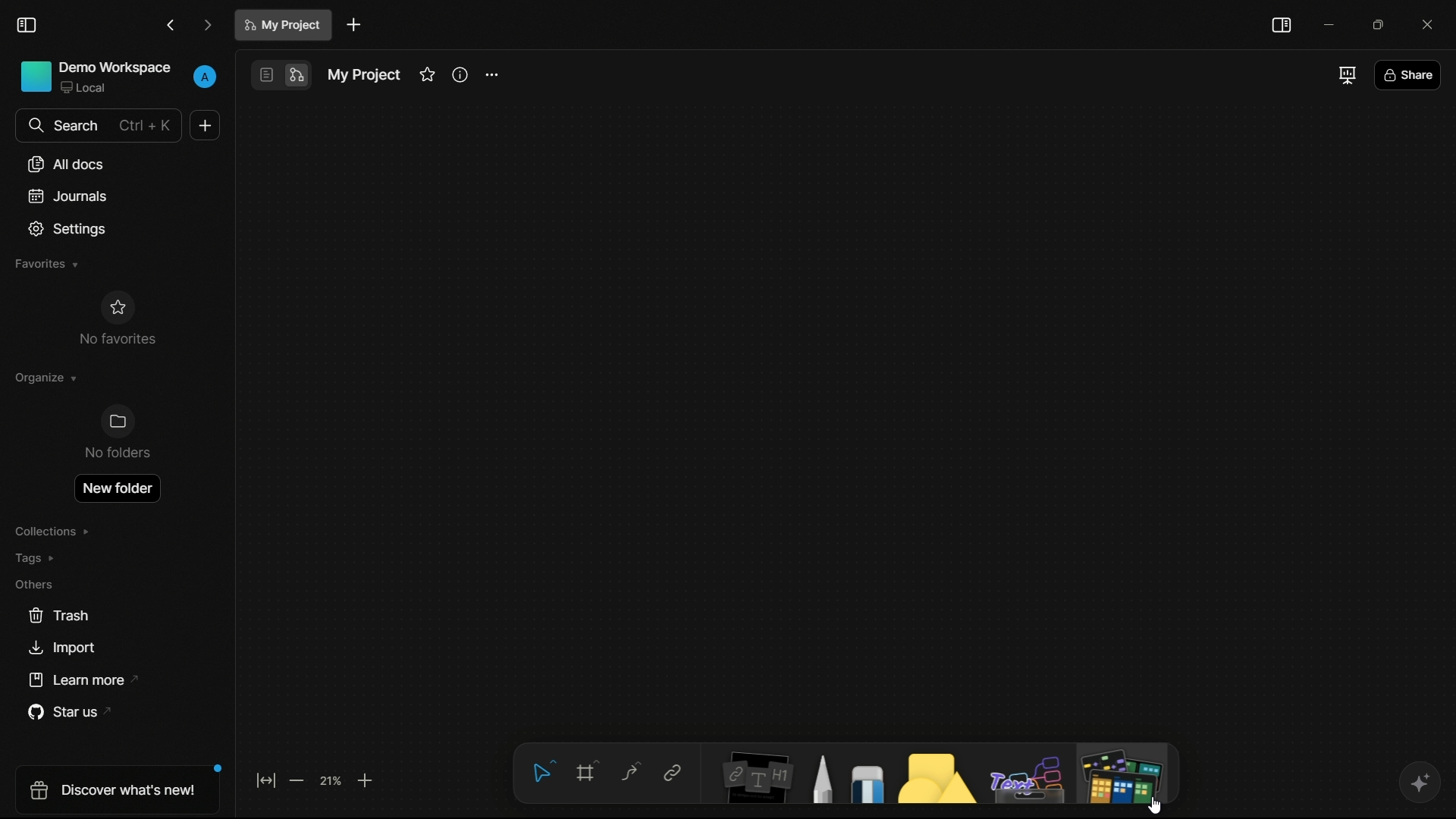  Describe the element at coordinates (333, 781) in the screenshot. I see `zoom factor` at that location.